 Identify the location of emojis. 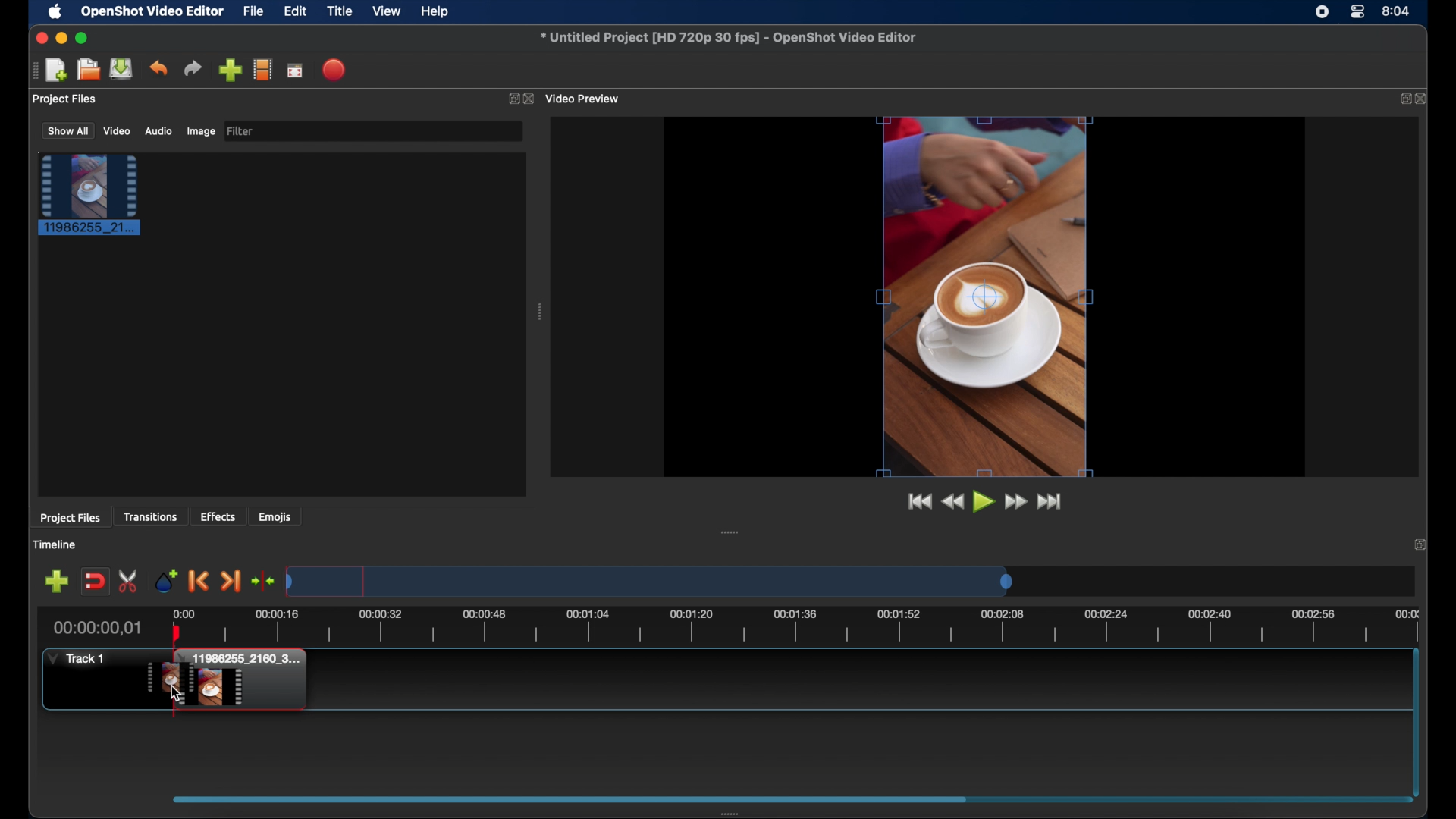
(275, 518).